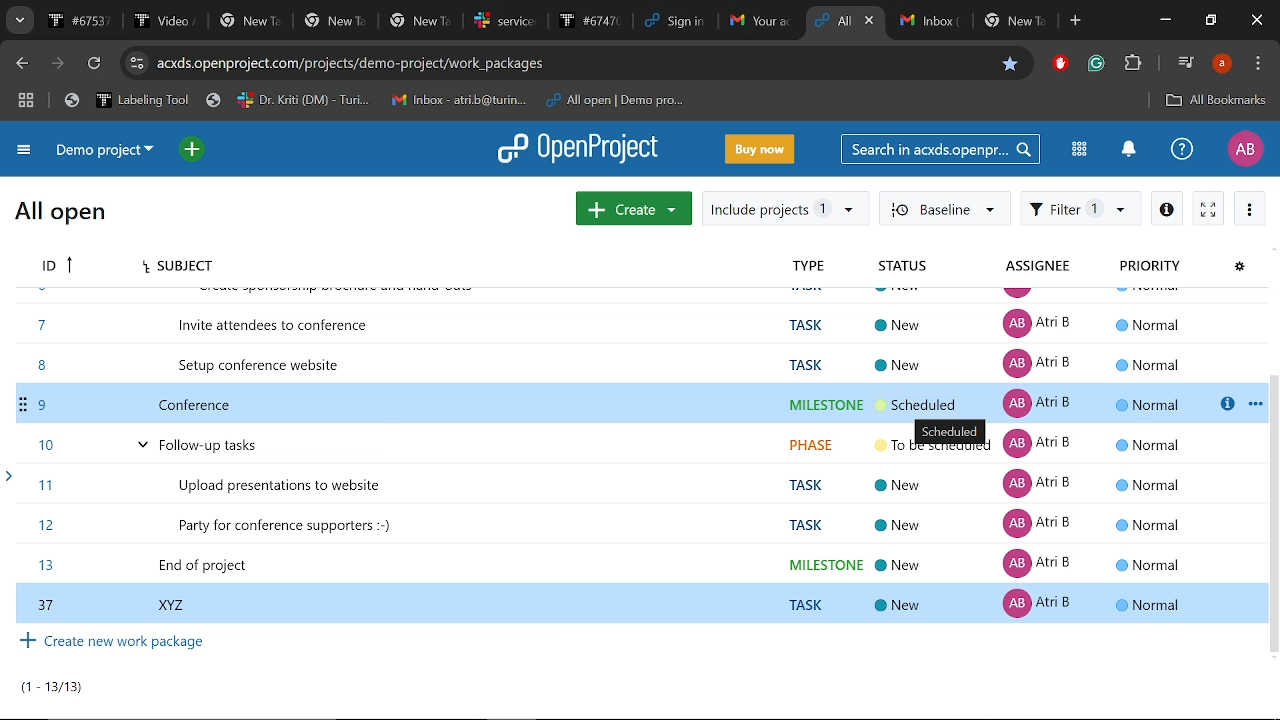 The width and height of the screenshot is (1280, 720). Describe the element at coordinates (1212, 103) in the screenshot. I see `All bookmarks` at that location.